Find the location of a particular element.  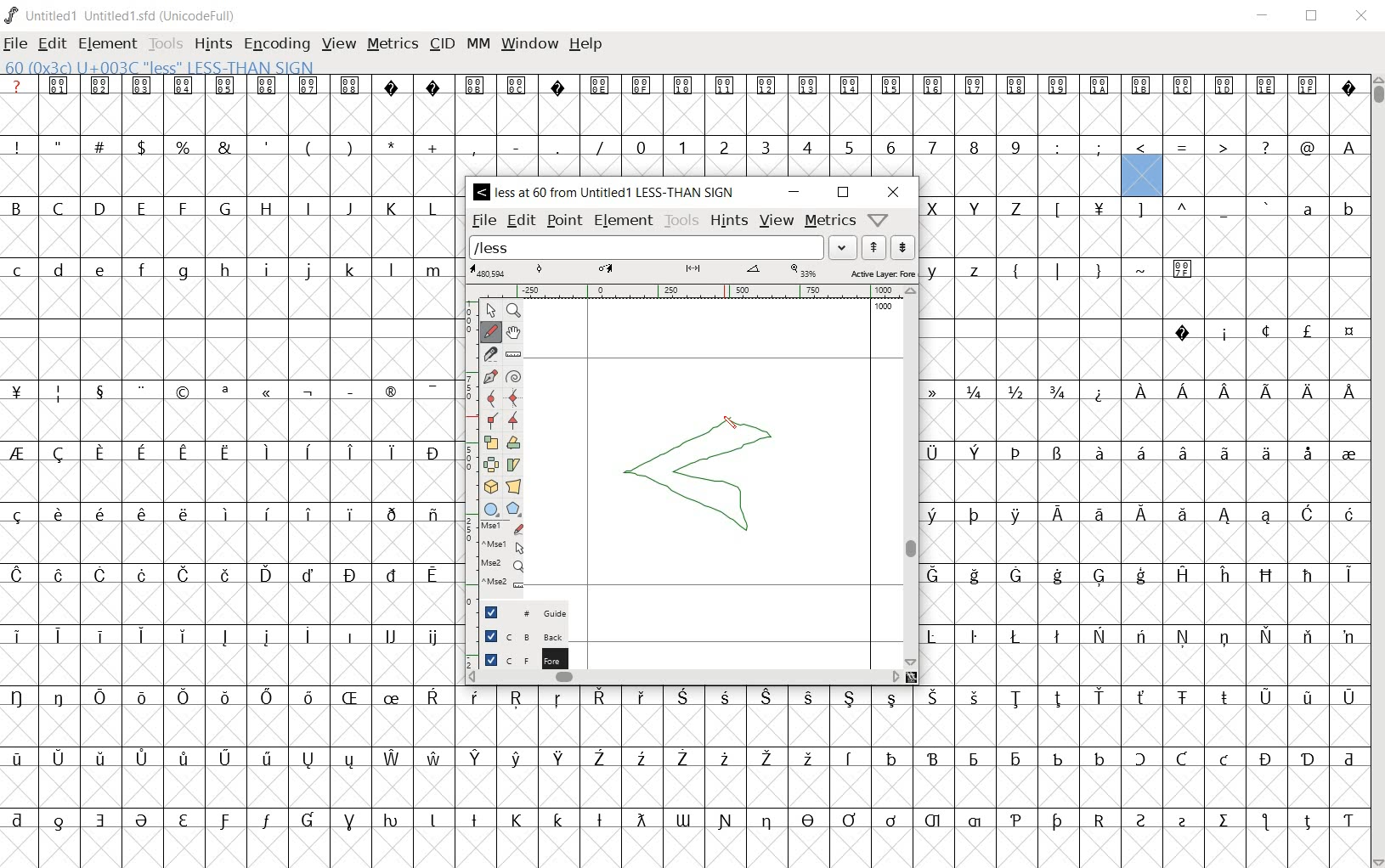

empty cells is located at coordinates (684, 786).